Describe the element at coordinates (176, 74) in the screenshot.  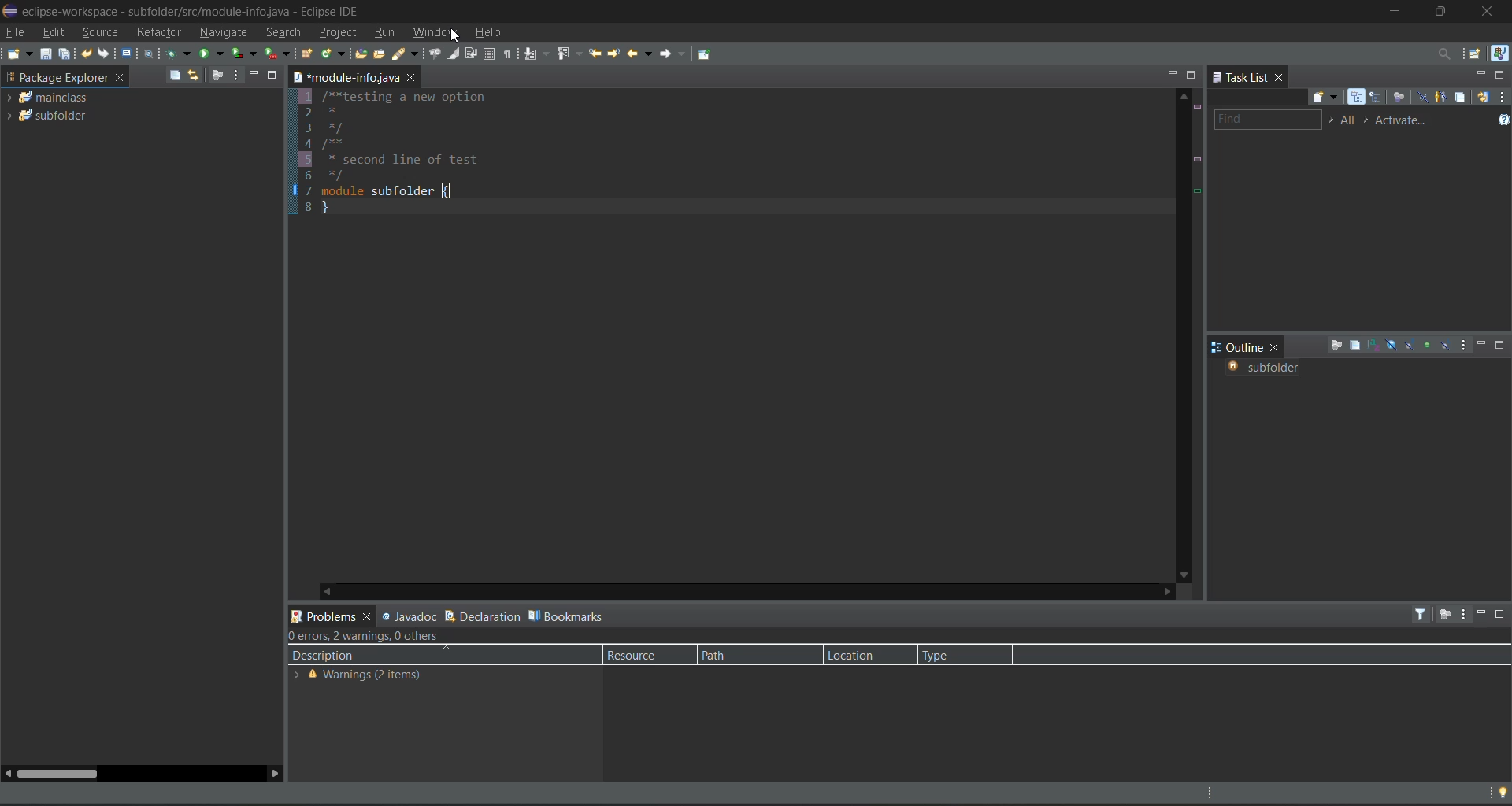
I see `collapse all` at that location.